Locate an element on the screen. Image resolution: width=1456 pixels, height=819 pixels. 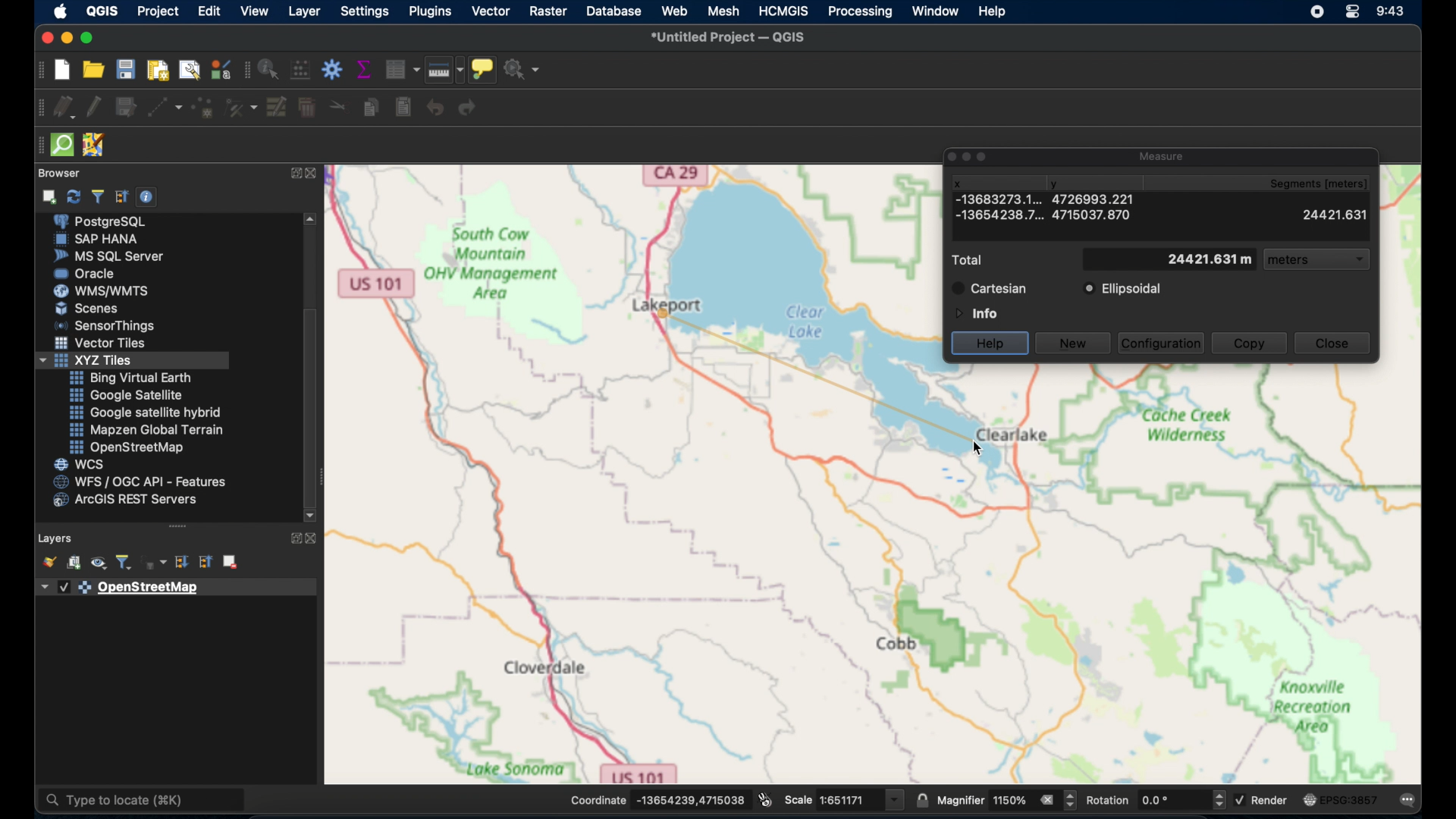
enable/disable properties widget is located at coordinates (146, 197).